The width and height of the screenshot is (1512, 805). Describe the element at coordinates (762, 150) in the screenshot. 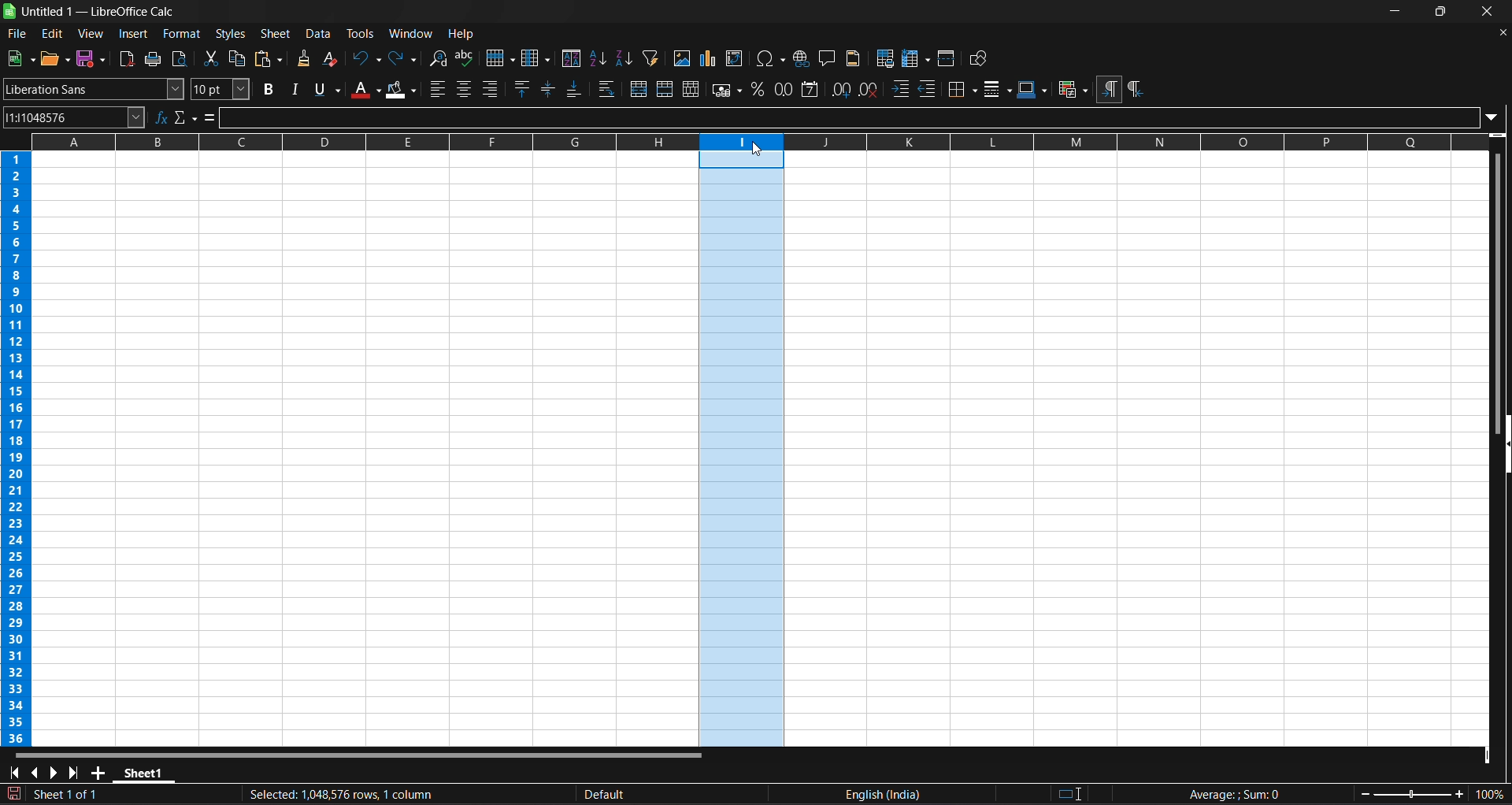

I see `cursor` at that location.